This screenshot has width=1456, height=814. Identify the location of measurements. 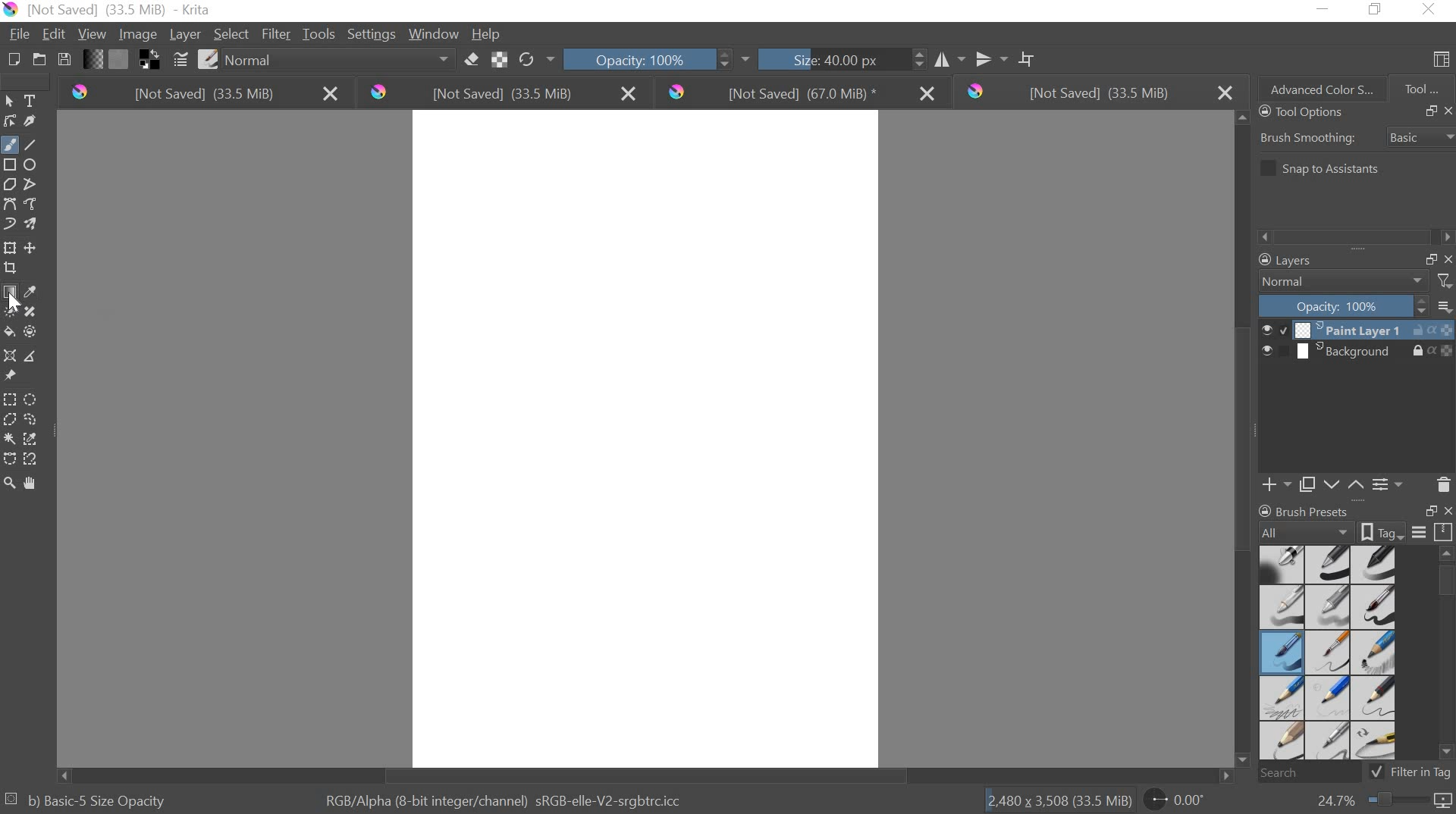
(35, 355).